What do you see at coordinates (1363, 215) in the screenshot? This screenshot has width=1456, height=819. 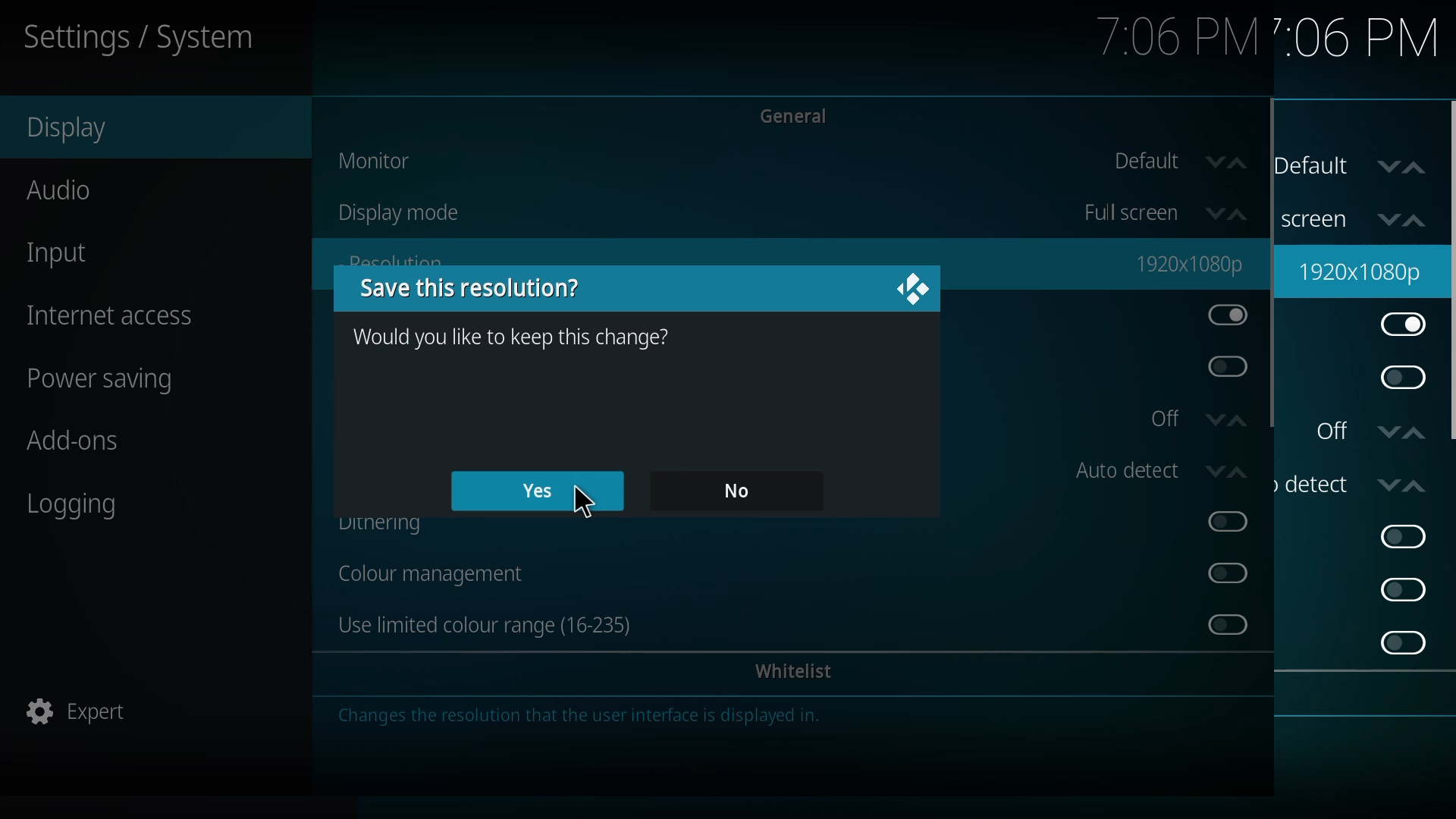 I see `fullscreen` at bounding box center [1363, 215].